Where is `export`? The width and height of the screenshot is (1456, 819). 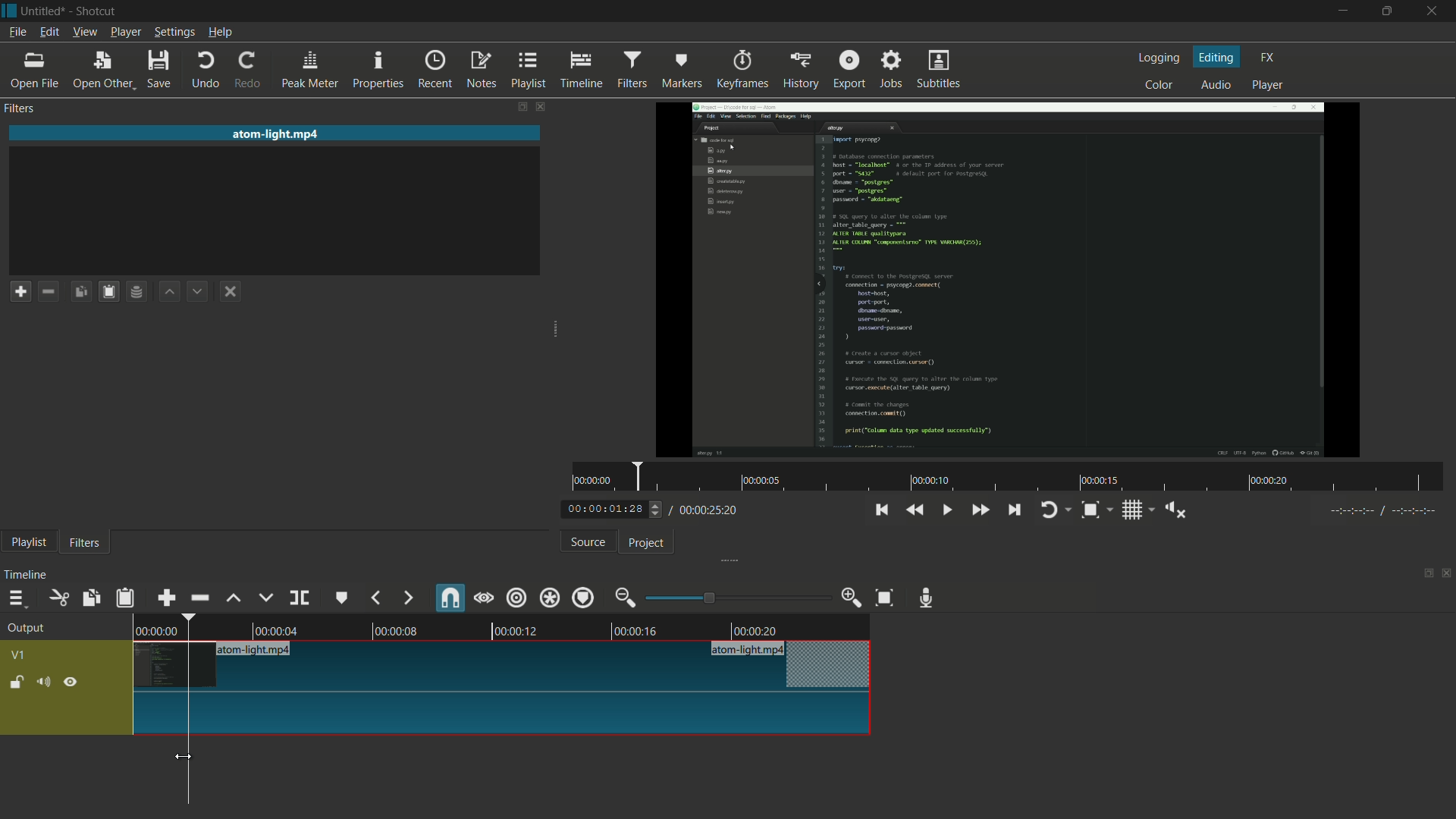
export is located at coordinates (849, 67).